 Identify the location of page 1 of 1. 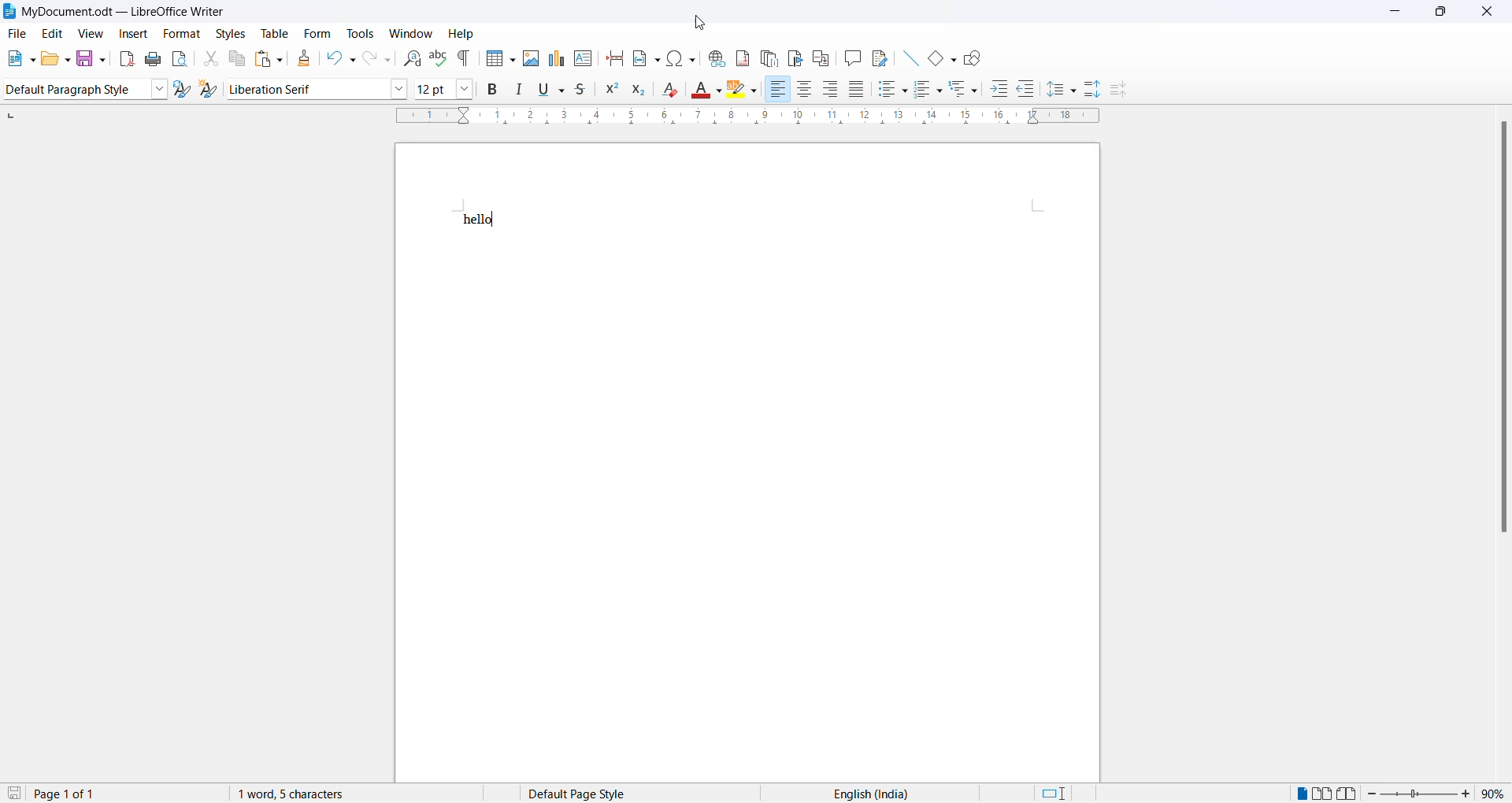
(77, 794).